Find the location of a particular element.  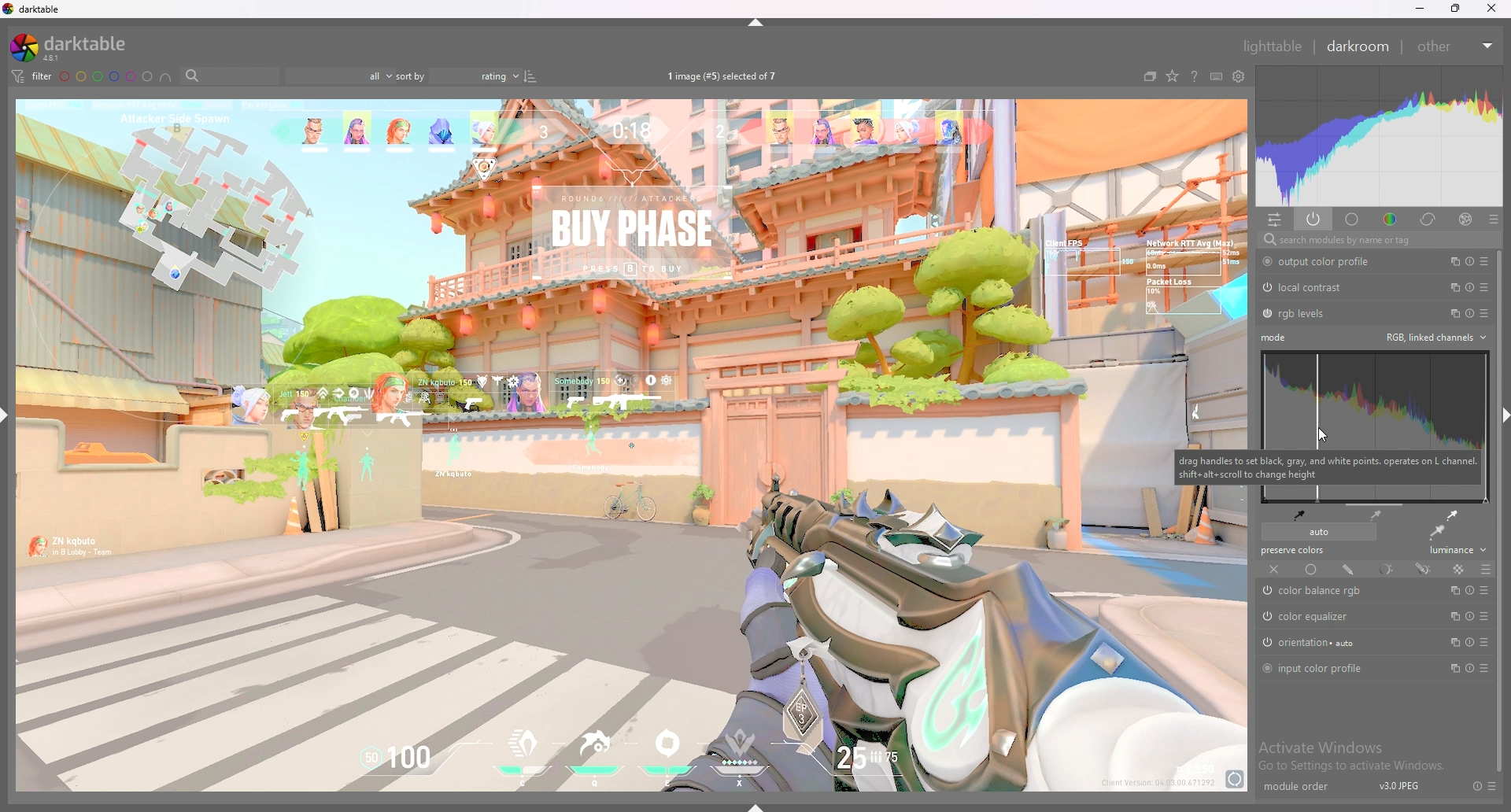

base is located at coordinates (1353, 220).